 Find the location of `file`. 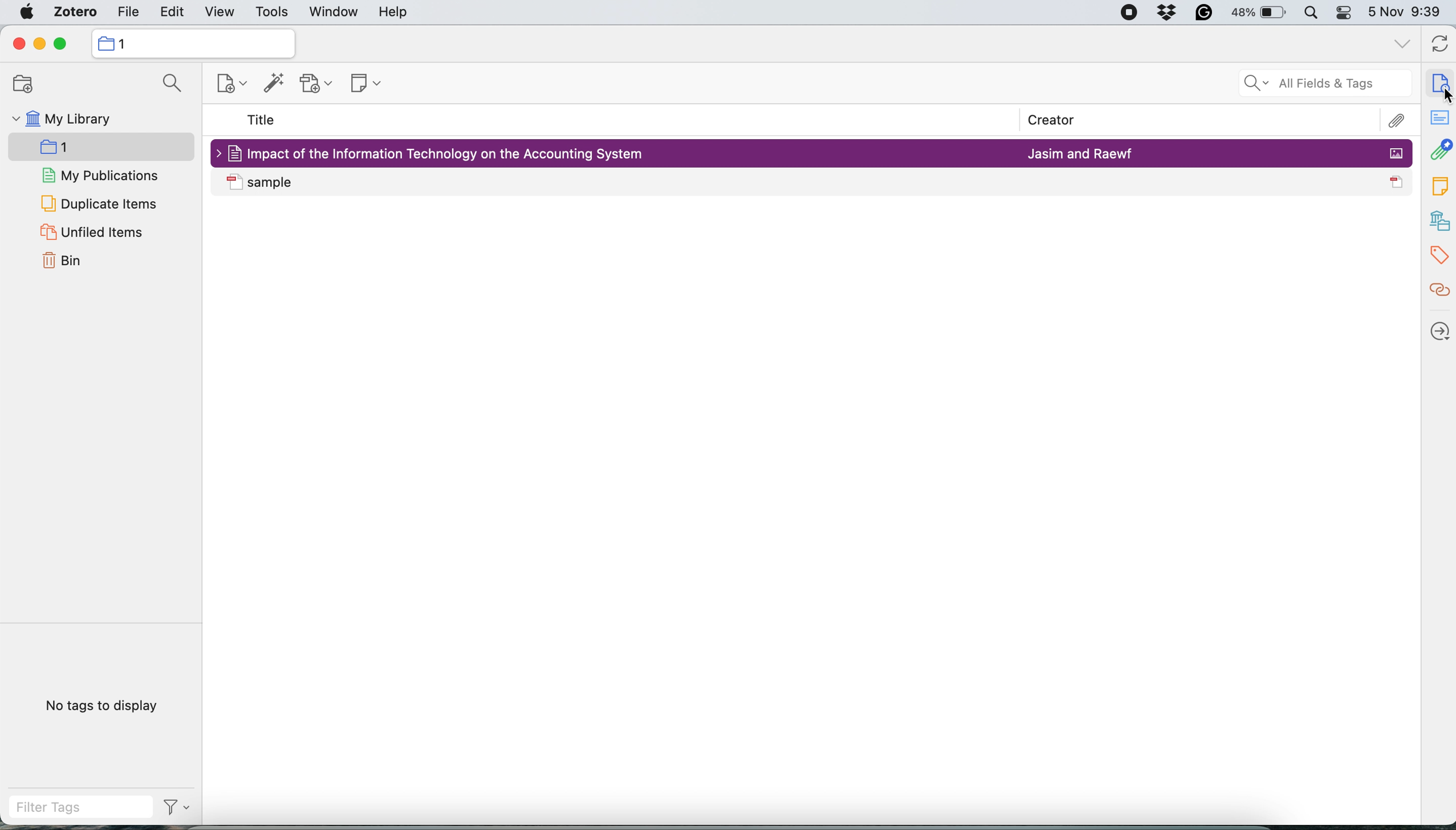

file is located at coordinates (129, 13).